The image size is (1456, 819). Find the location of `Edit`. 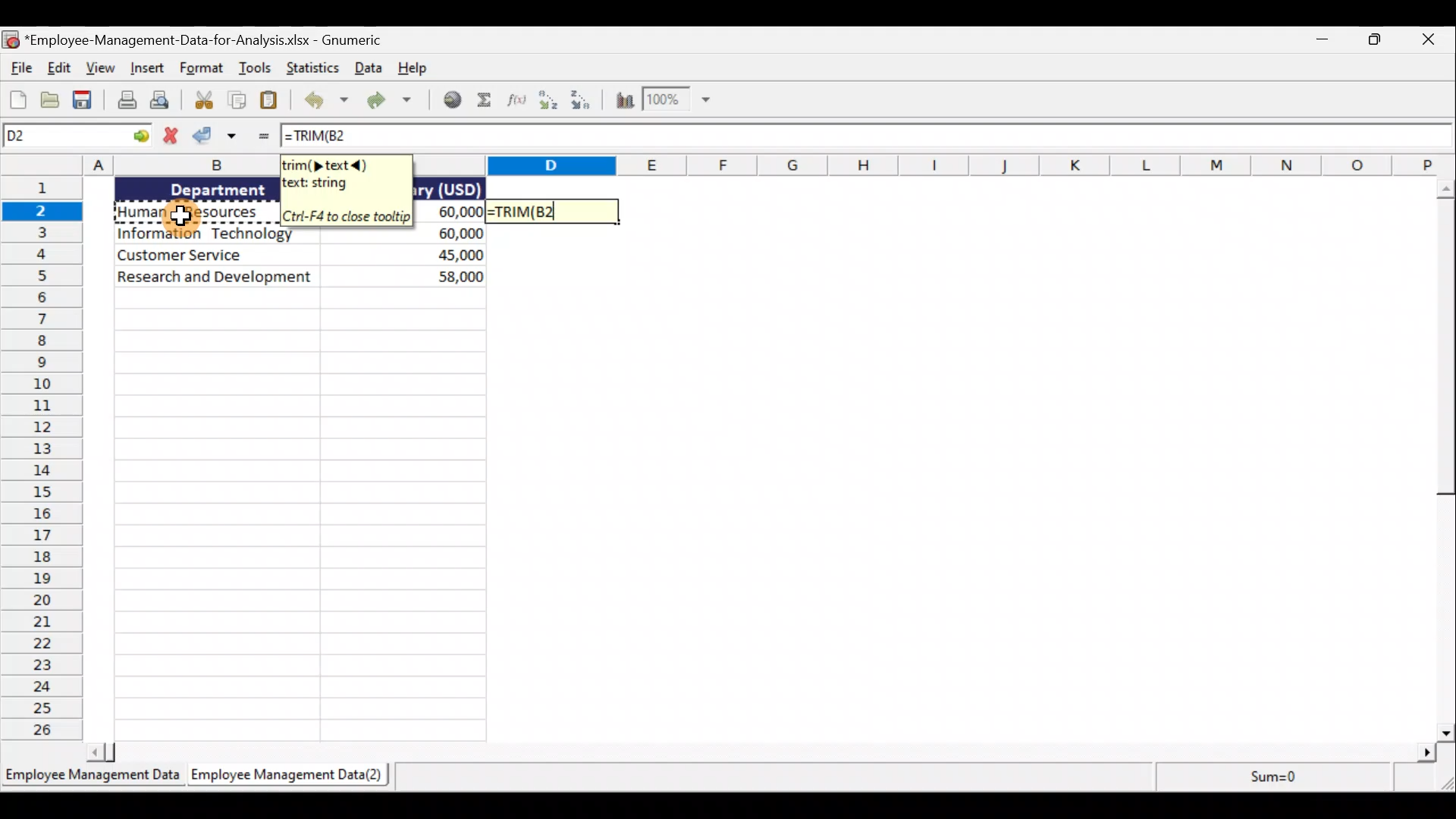

Edit is located at coordinates (57, 66).